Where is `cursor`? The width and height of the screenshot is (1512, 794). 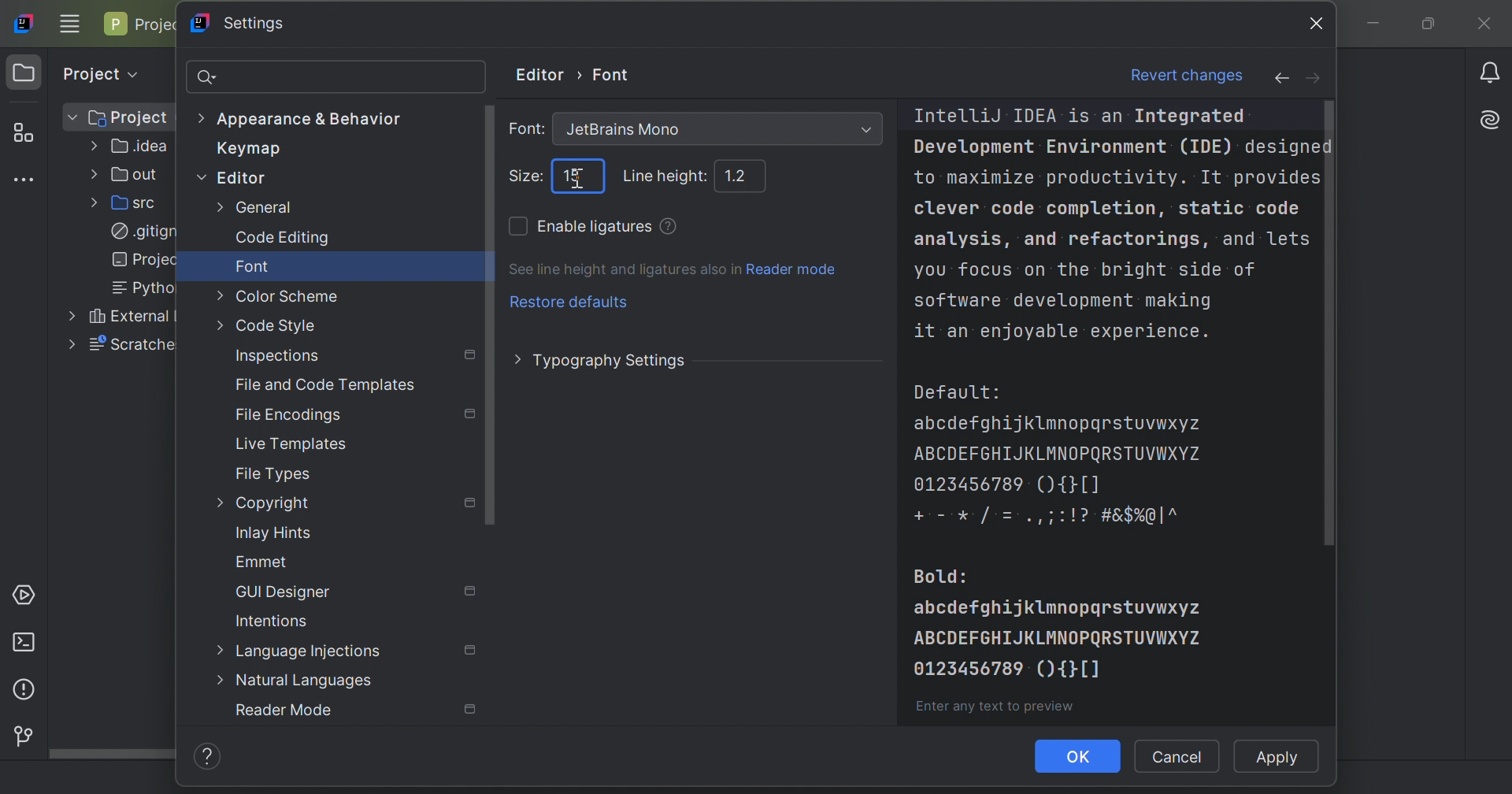 cursor is located at coordinates (577, 175).